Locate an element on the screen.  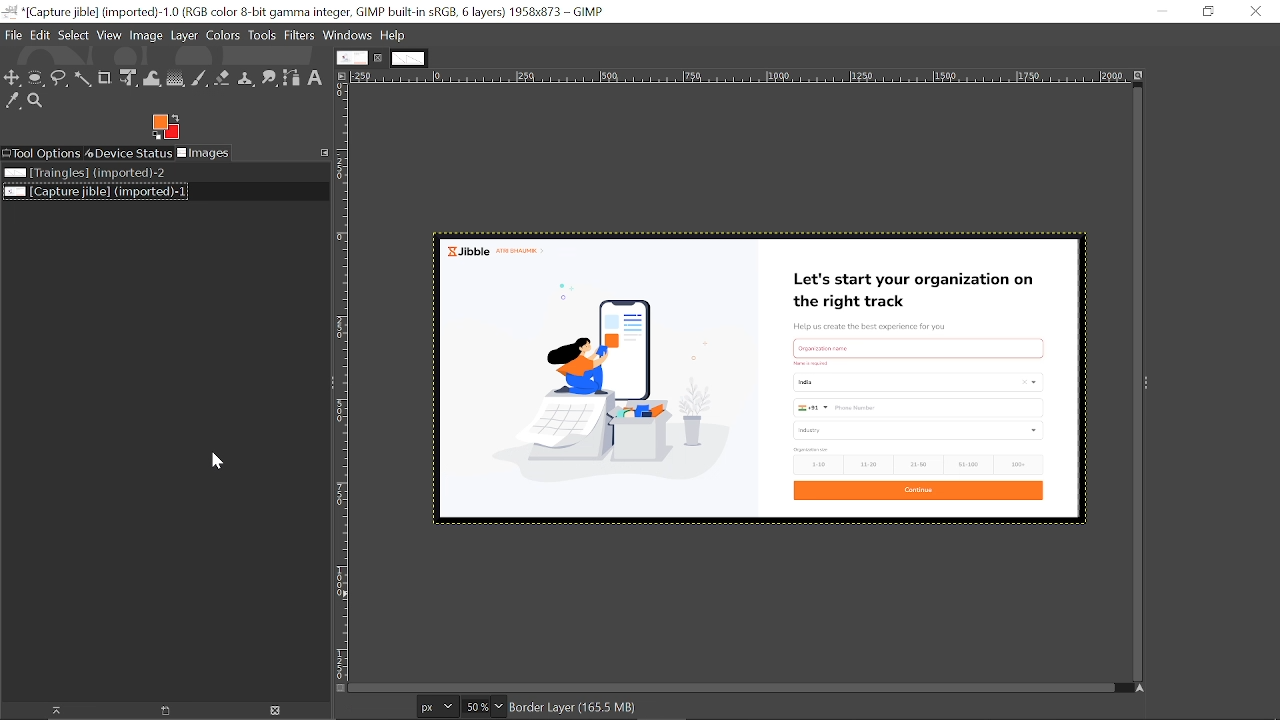
Restore down is located at coordinates (1207, 11).